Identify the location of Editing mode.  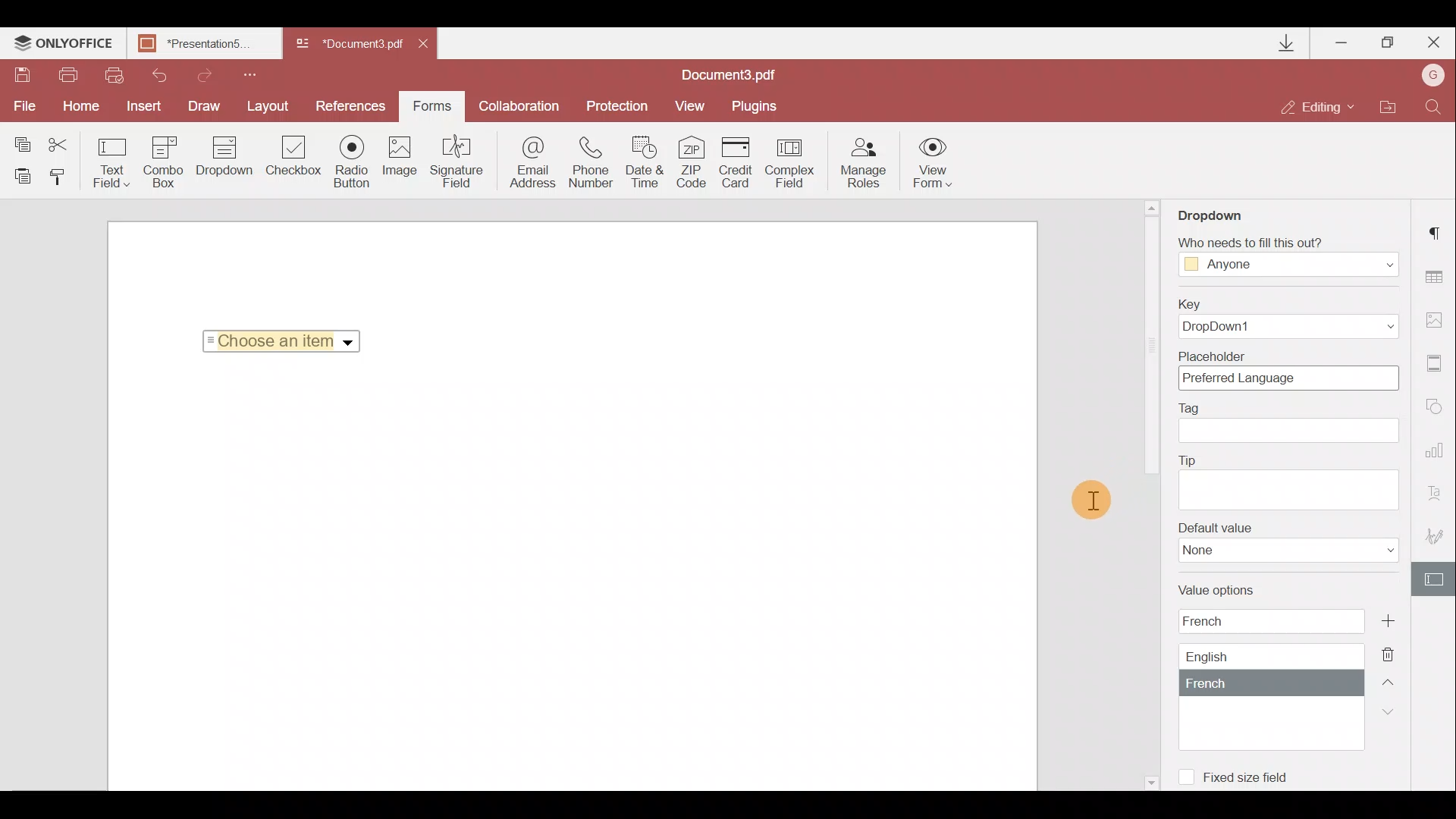
(1318, 106).